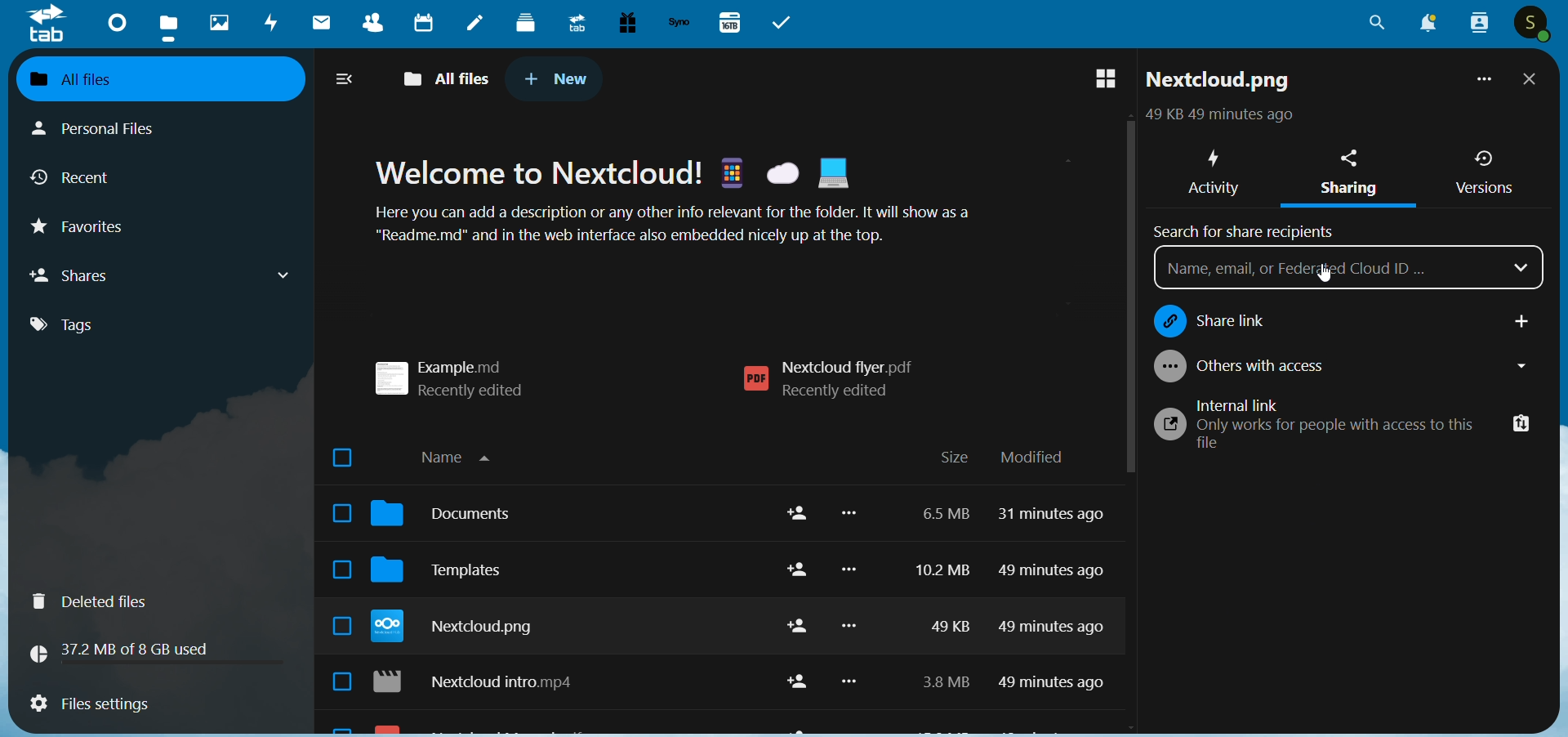 This screenshot has height=737, width=1568. I want to click on copy internal link, so click(1516, 423).